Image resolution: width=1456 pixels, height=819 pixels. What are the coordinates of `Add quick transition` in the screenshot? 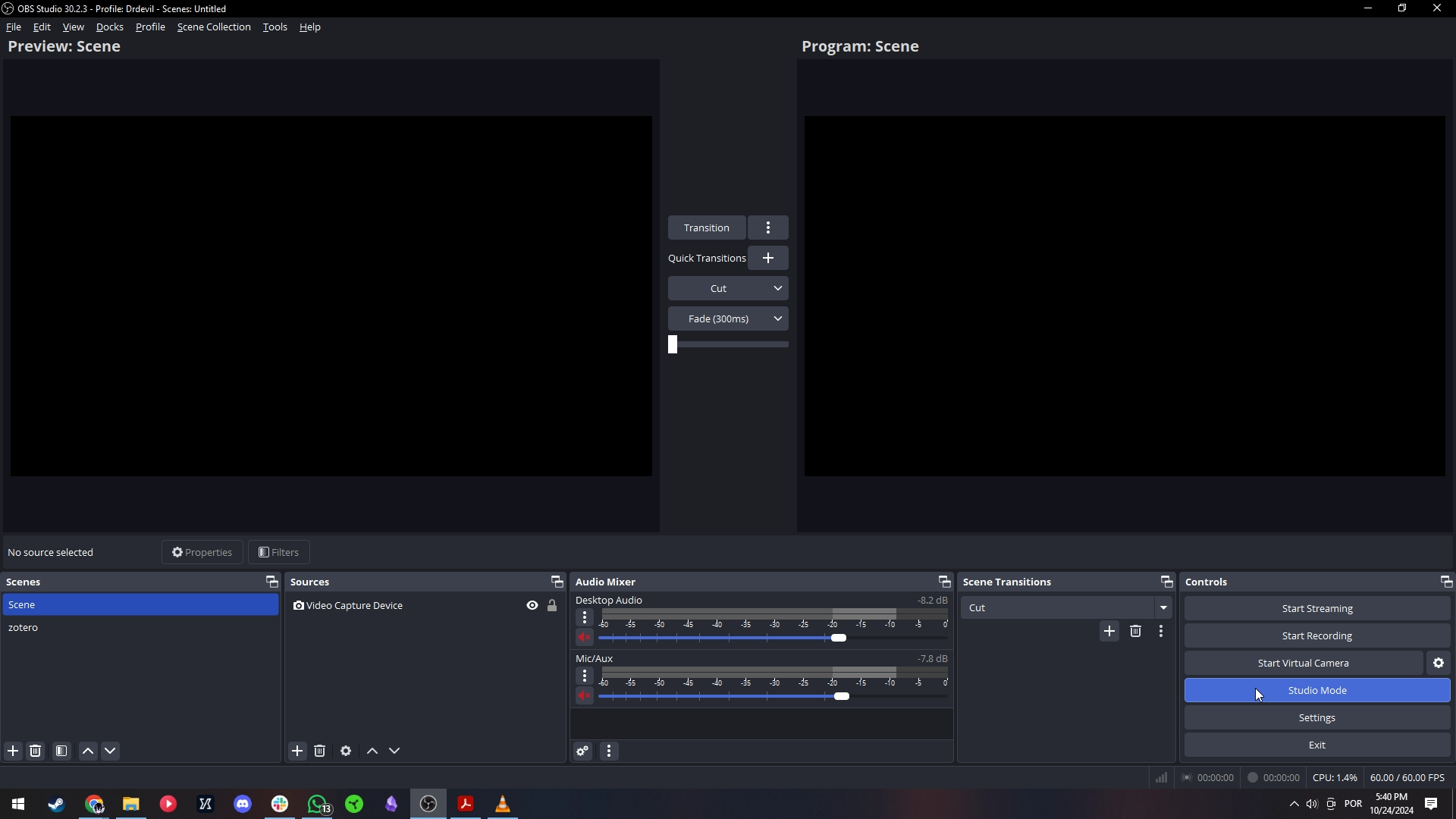 It's located at (769, 258).